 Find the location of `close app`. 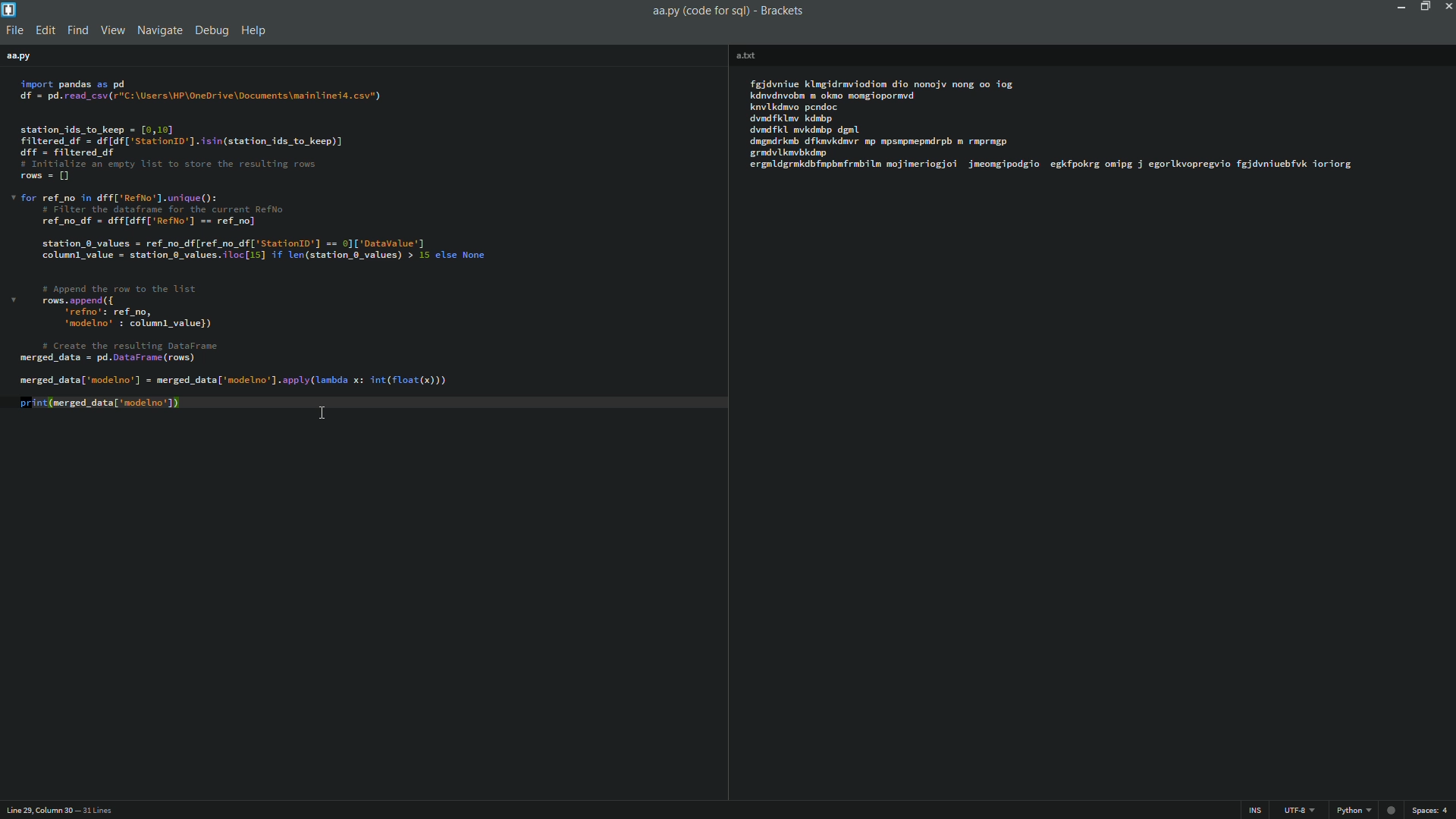

close app is located at coordinates (1447, 9).